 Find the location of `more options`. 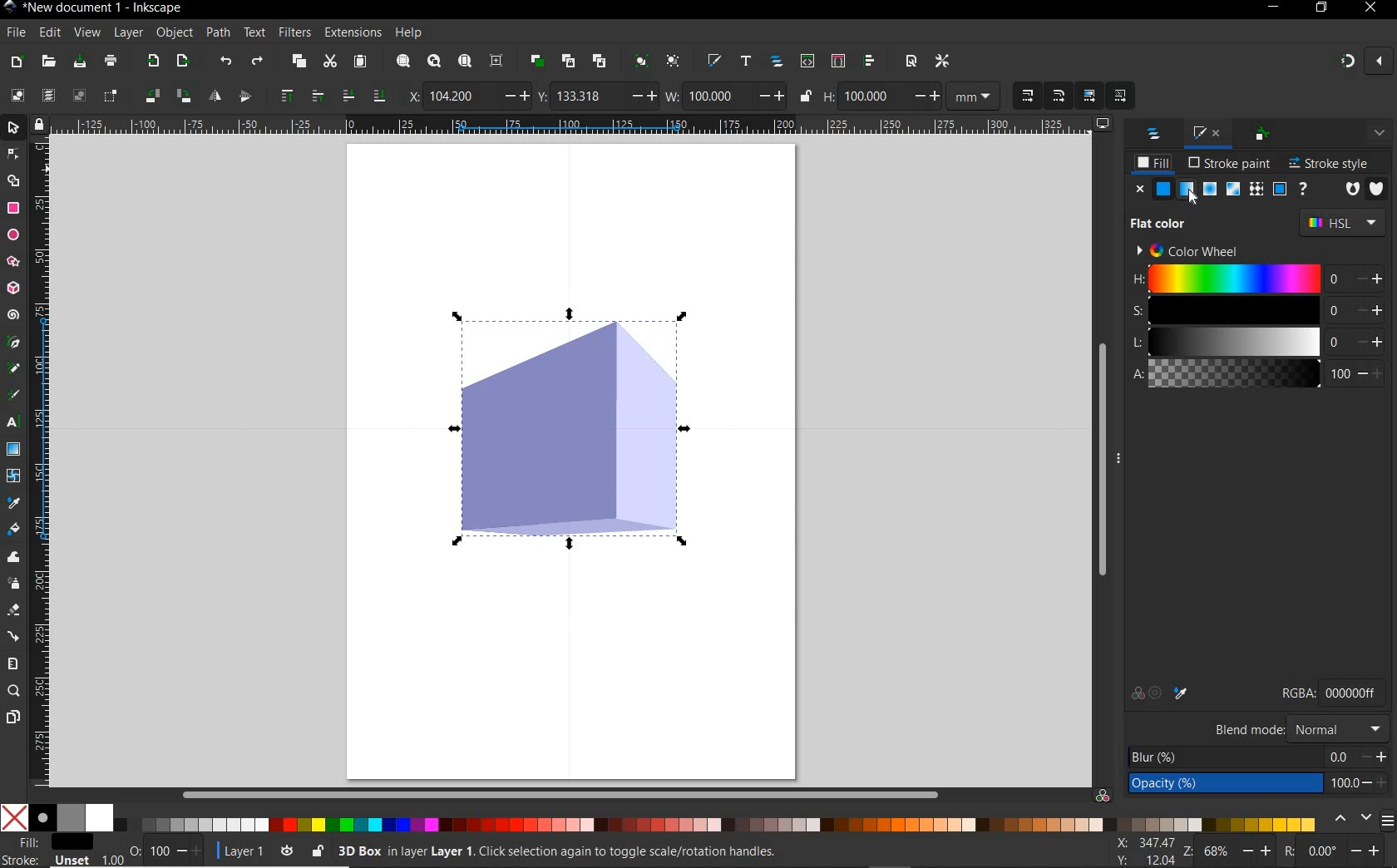

more options is located at coordinates (1121, 460).